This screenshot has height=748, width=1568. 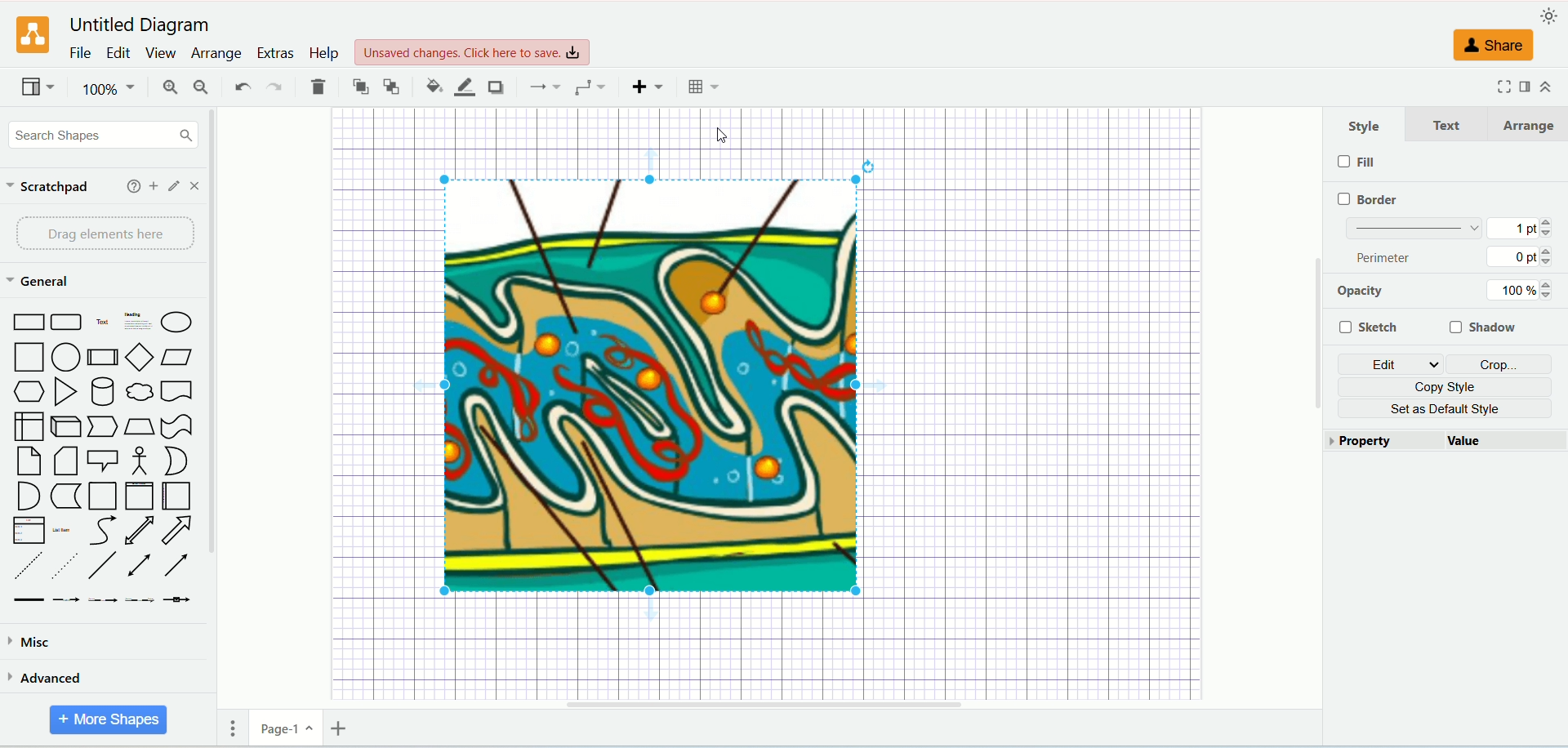 I want to click on fill, so click(x=1359, y=162).